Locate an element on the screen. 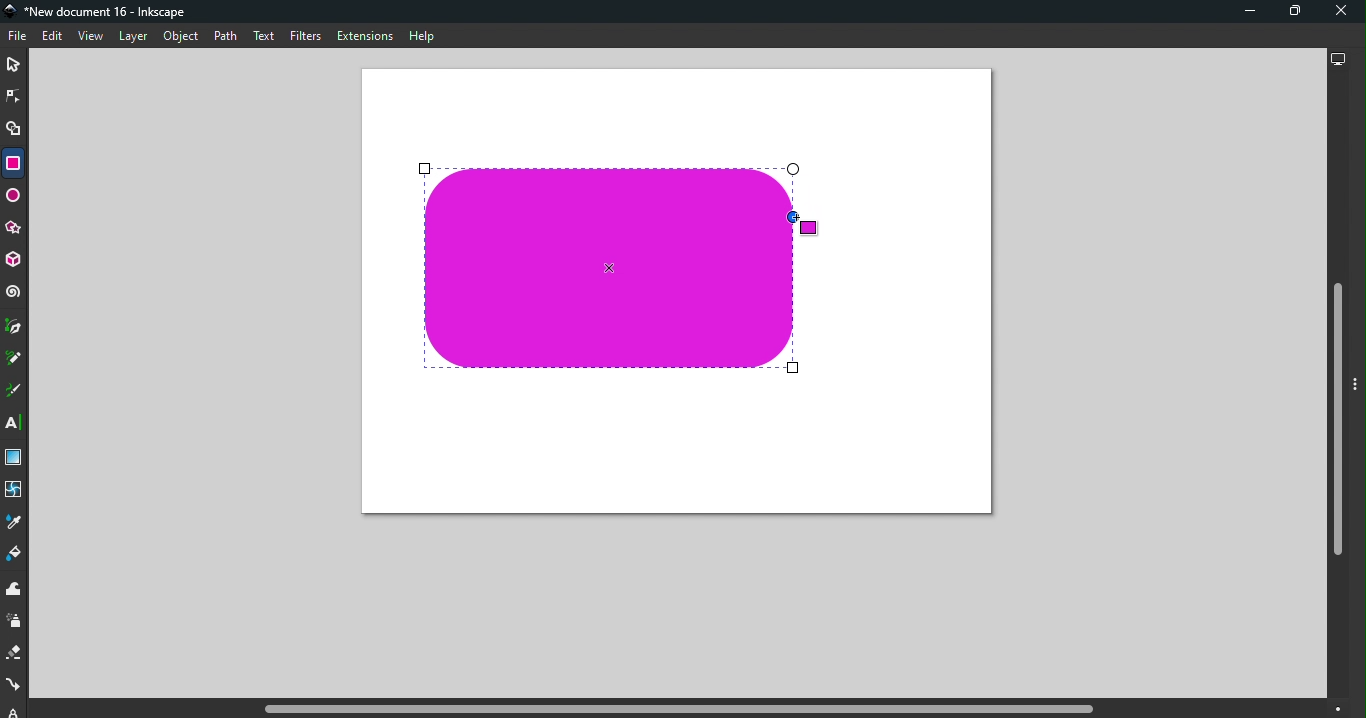  Node tool is located at coordinates (14, 95).